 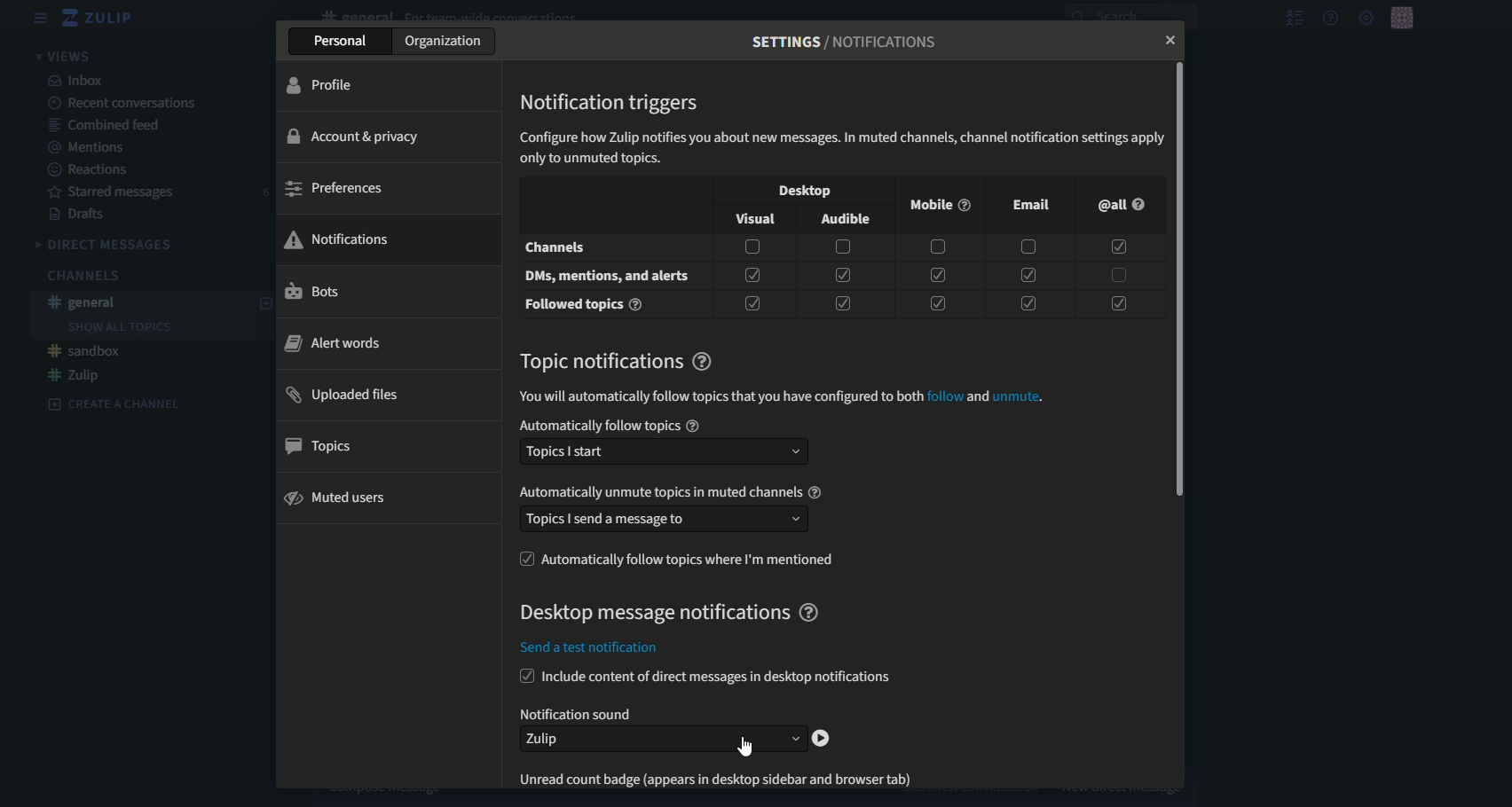 What do you see at coordinates (92, 147) in the screenshot?
I see `mentions` at bounding box center [92, 147].